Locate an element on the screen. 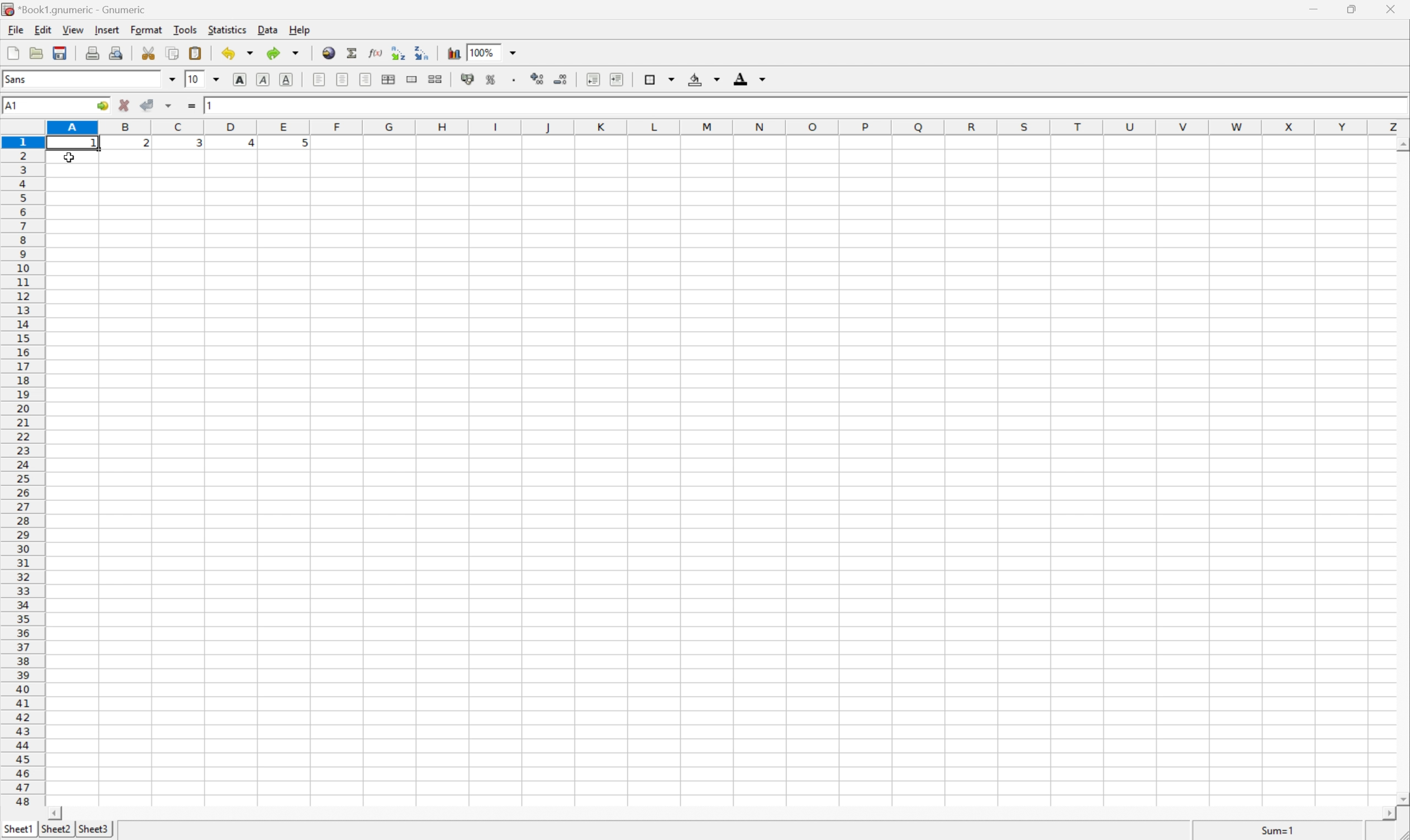 Image resolution: width=1410 pixels, height=840 pixels. file is located at coordinates (11, 29).